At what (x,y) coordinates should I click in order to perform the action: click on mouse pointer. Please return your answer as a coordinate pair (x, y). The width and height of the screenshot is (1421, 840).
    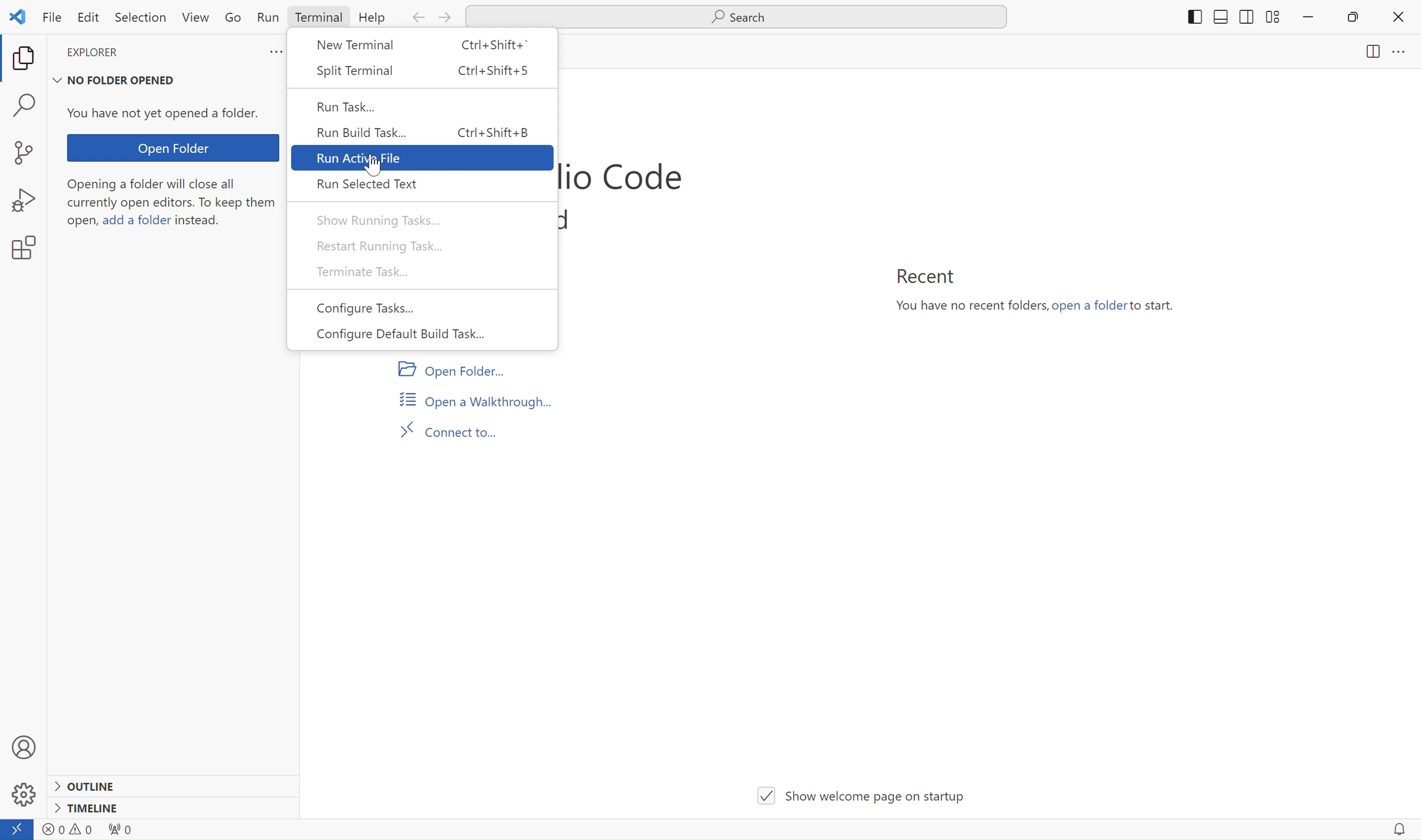
    Looking at the image, I should click on (376, 169).